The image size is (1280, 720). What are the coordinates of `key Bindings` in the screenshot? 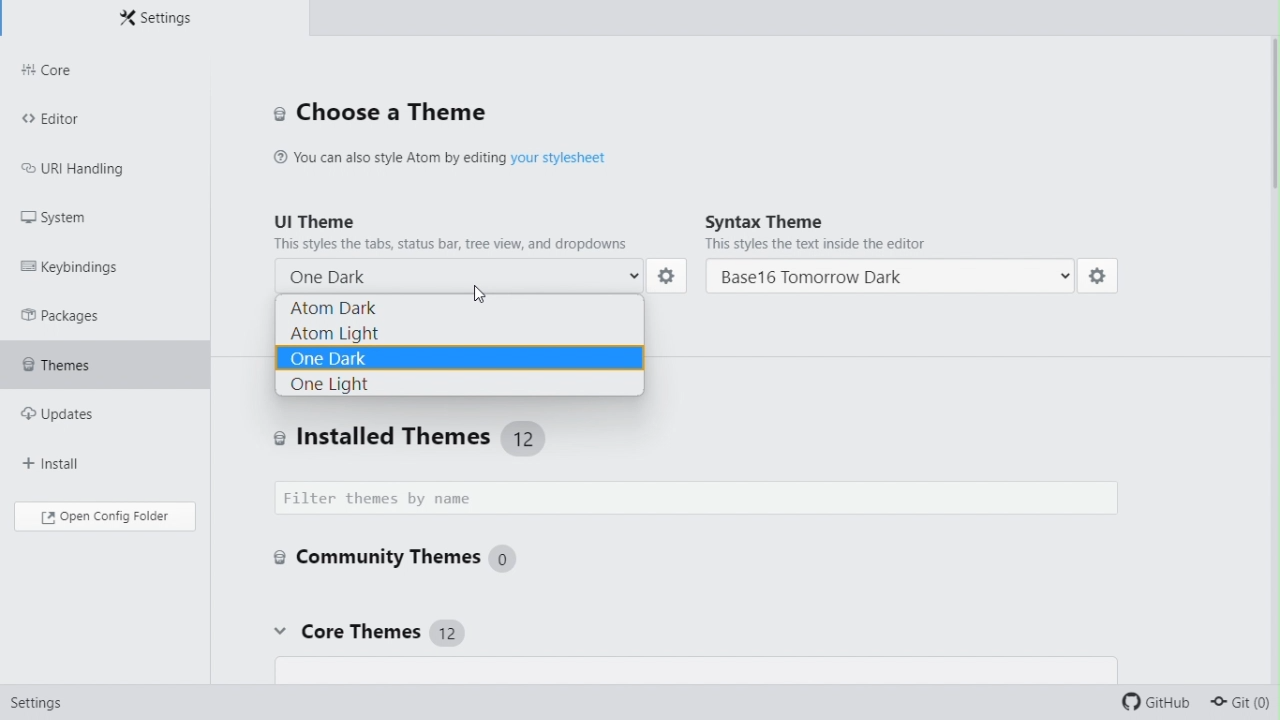 It's located at (82, 263).